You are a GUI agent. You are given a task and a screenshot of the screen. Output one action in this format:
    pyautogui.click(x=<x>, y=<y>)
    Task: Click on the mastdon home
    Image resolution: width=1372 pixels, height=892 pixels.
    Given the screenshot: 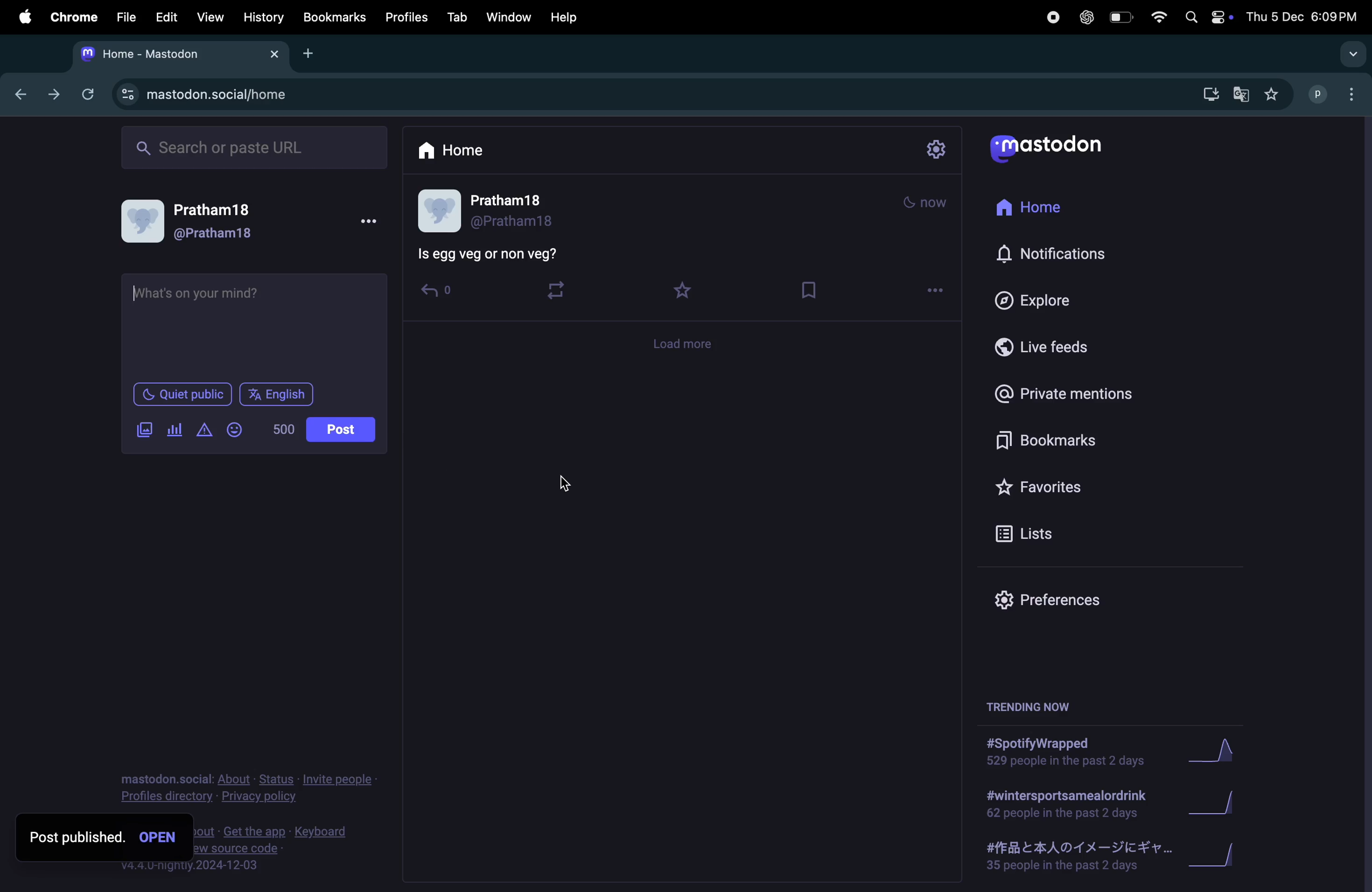 What is the action you would take?
    pyautogui.click(x=177, y=54)
    